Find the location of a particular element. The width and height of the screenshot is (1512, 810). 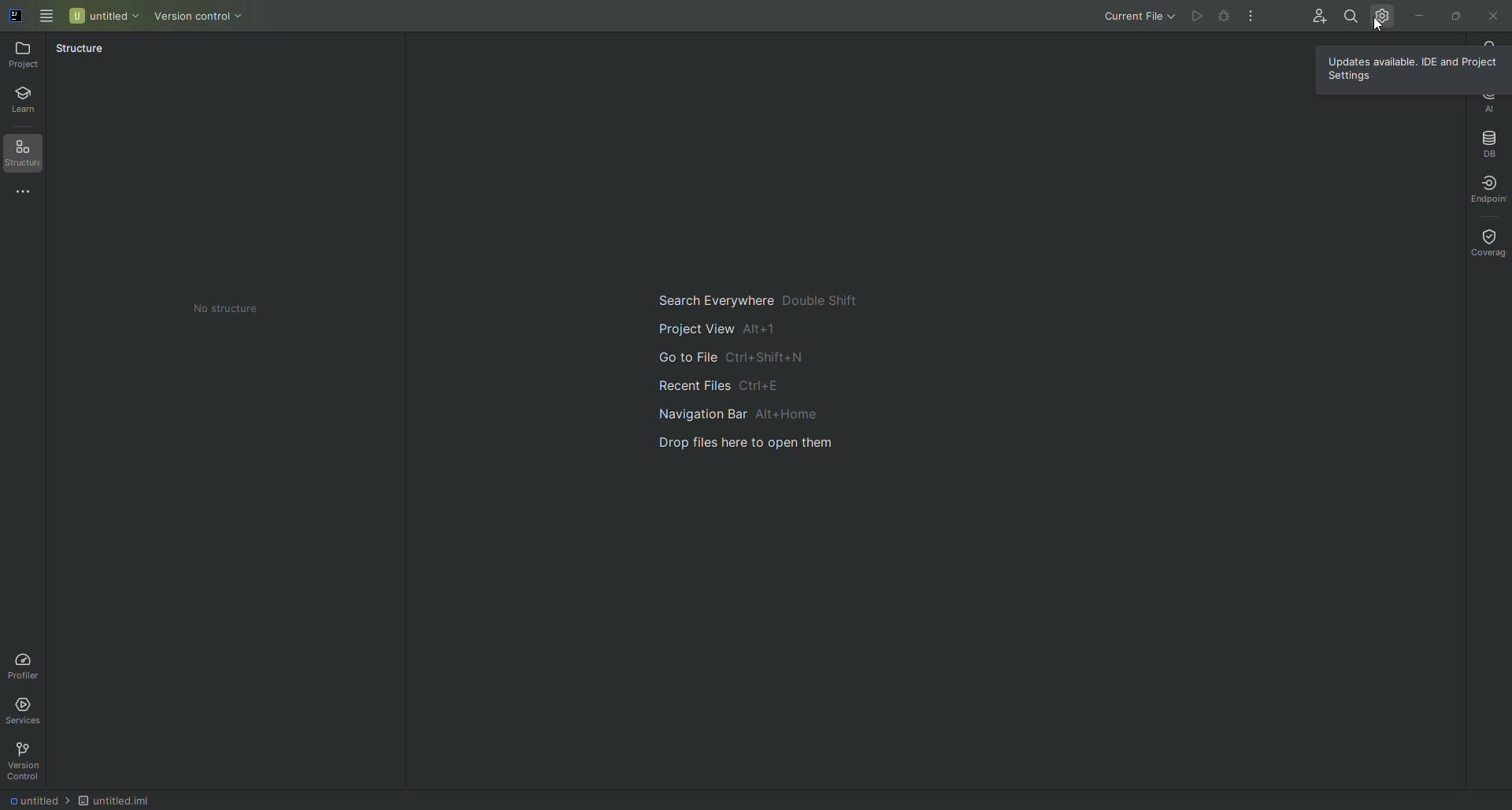

Navigation Bar  is located at coordinates (754, 412).